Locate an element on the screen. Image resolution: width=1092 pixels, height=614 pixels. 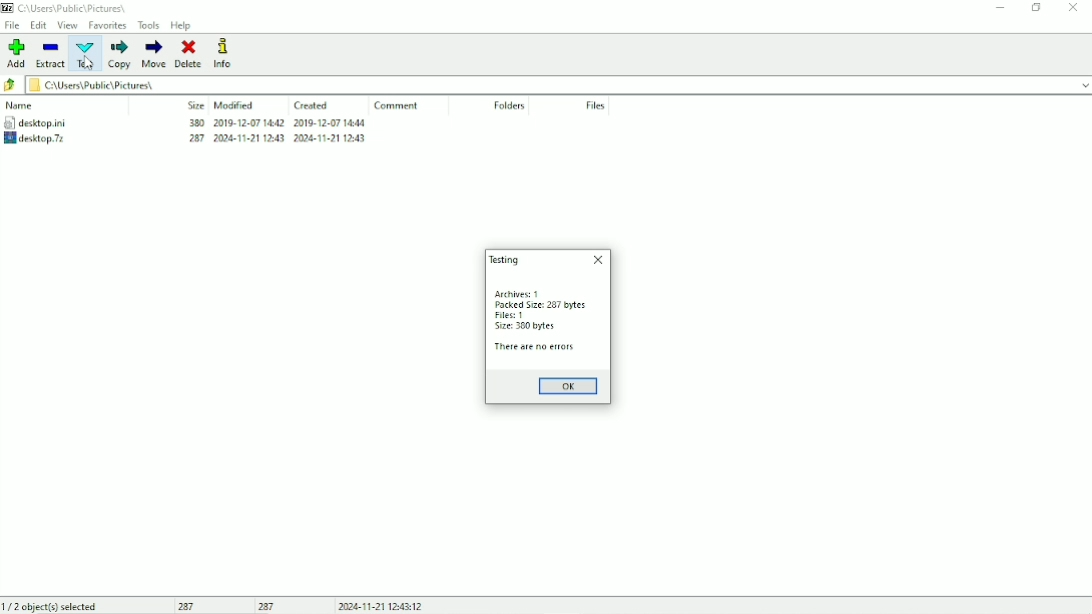
300 bytes is located at coordinates (533, 327).